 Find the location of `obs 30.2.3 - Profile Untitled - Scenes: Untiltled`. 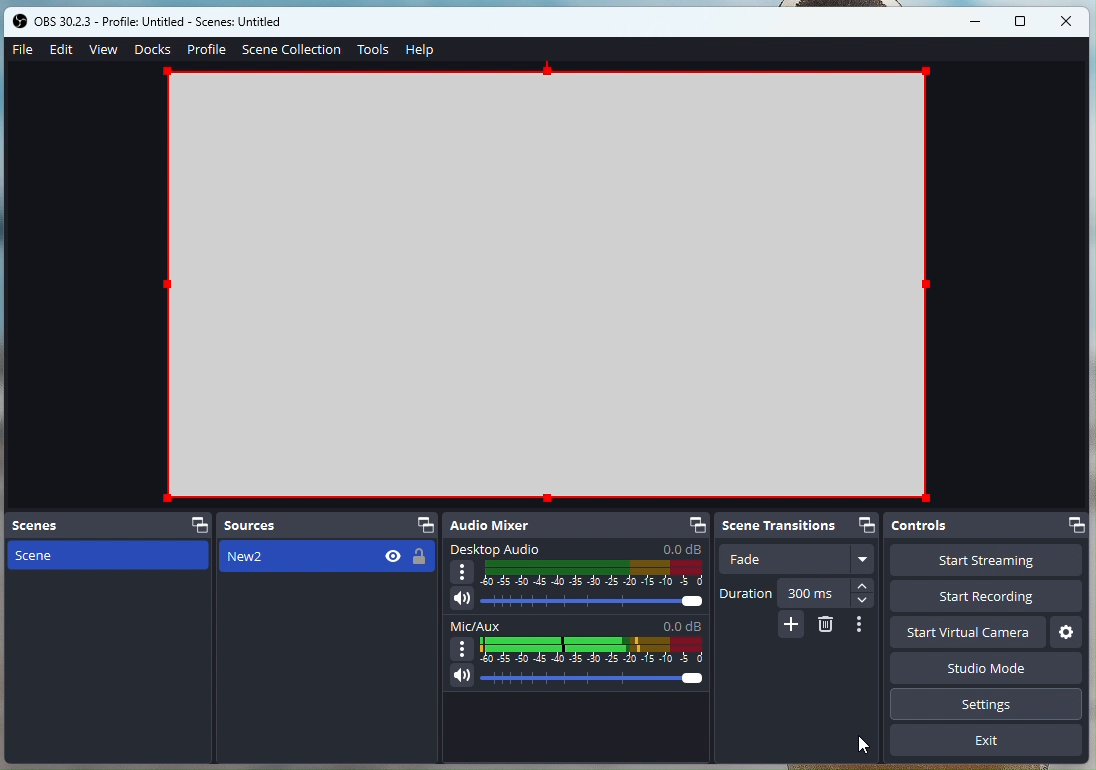

obs 30.2.3 - Profile Untitled - Scenes: Untiltled is located at coordinates (175, 21).